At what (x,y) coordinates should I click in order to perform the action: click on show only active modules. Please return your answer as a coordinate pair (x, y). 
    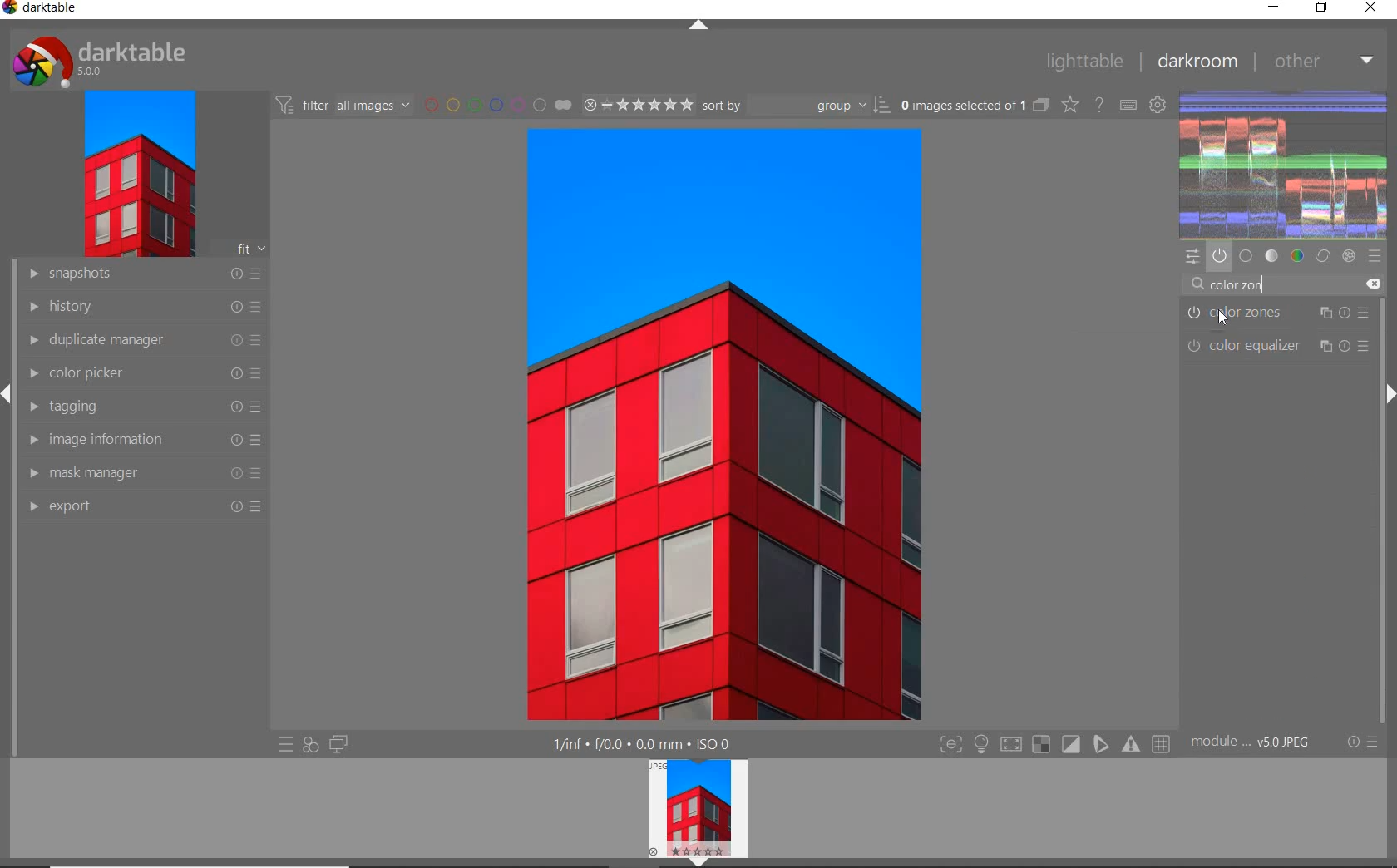
    Looking at the image, I should click on (1219, 255).